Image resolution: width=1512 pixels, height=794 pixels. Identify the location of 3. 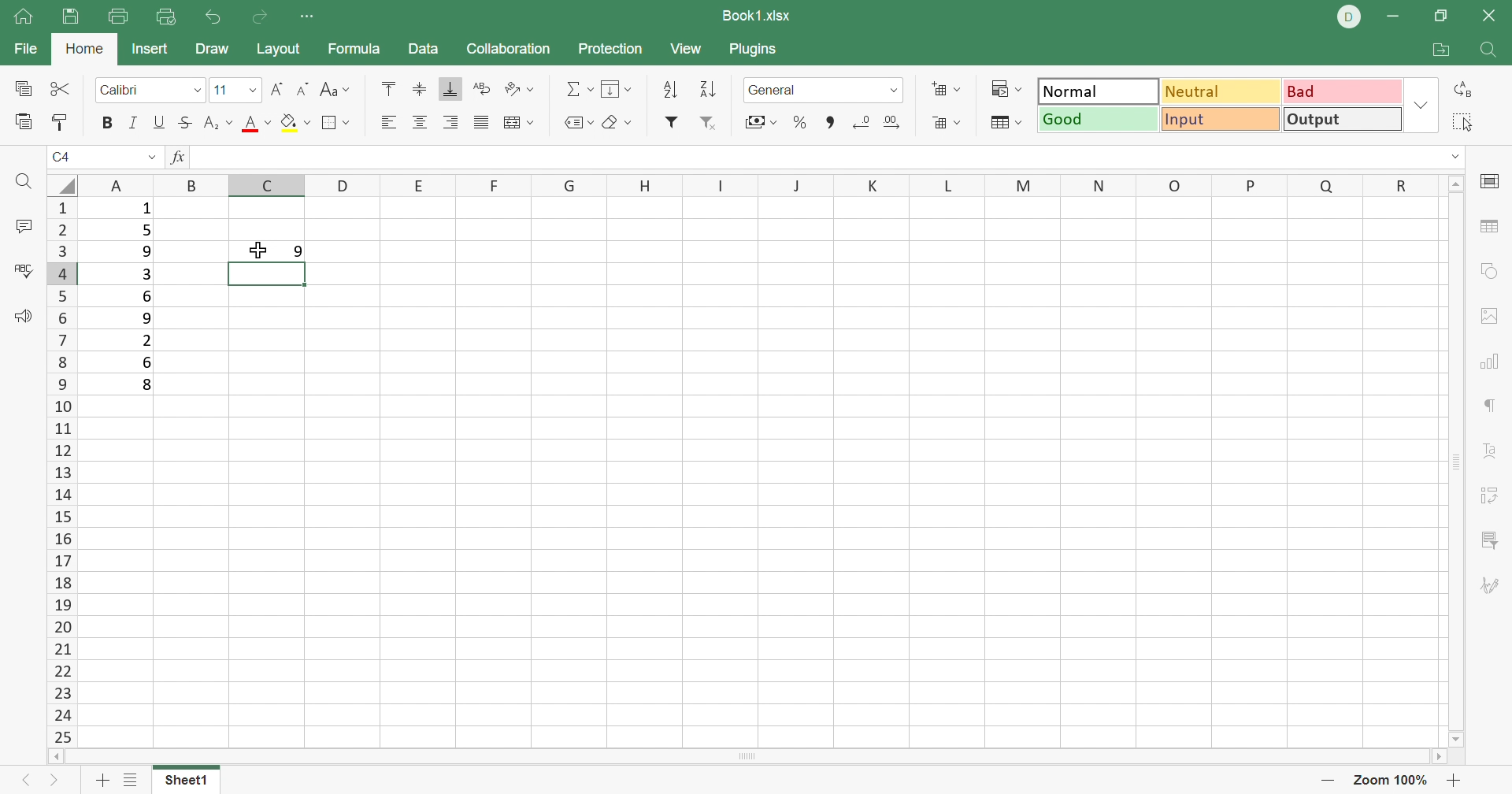
(144, 276).